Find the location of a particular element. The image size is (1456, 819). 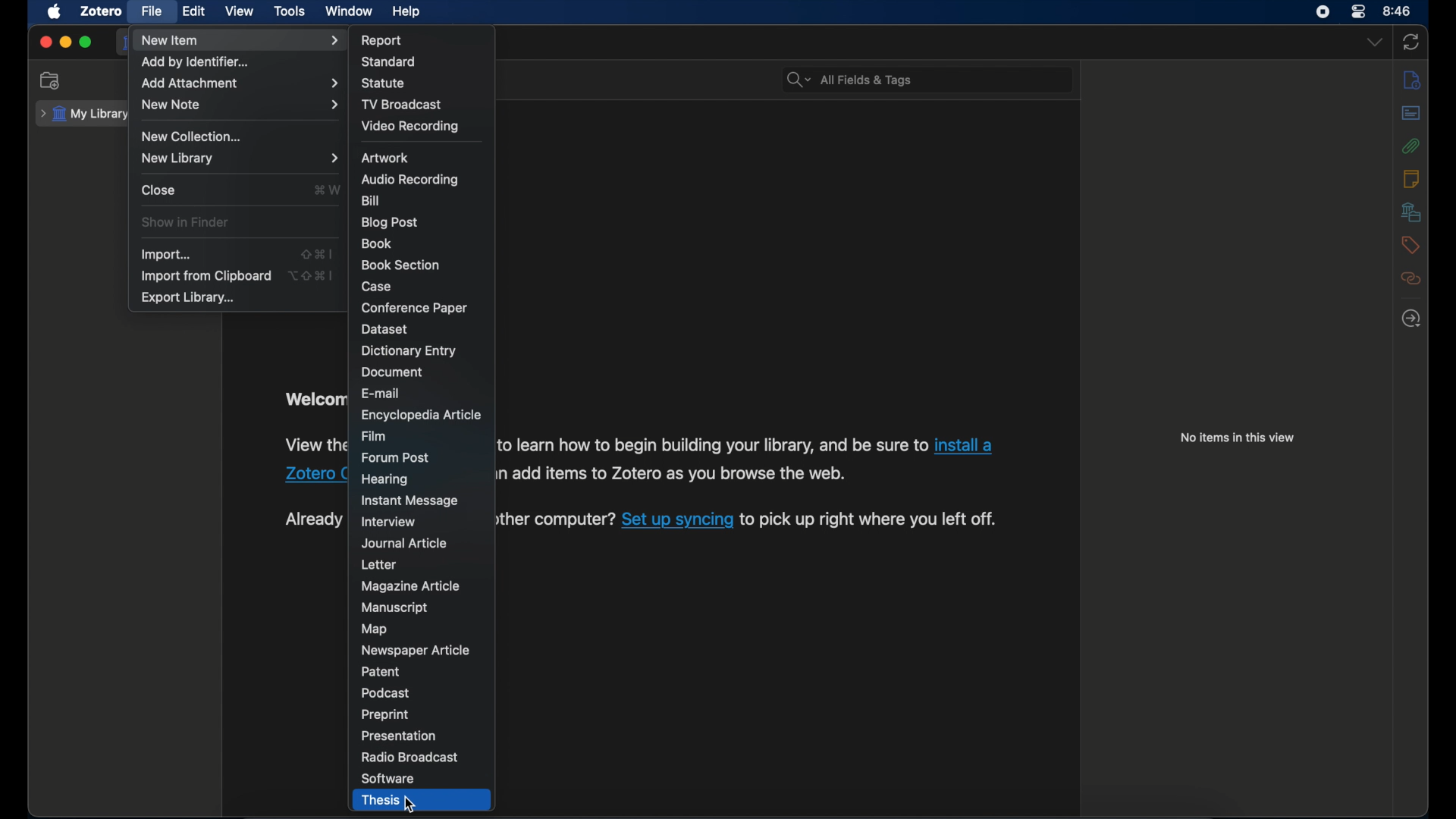

blog post is located at coordinates (390, 222).